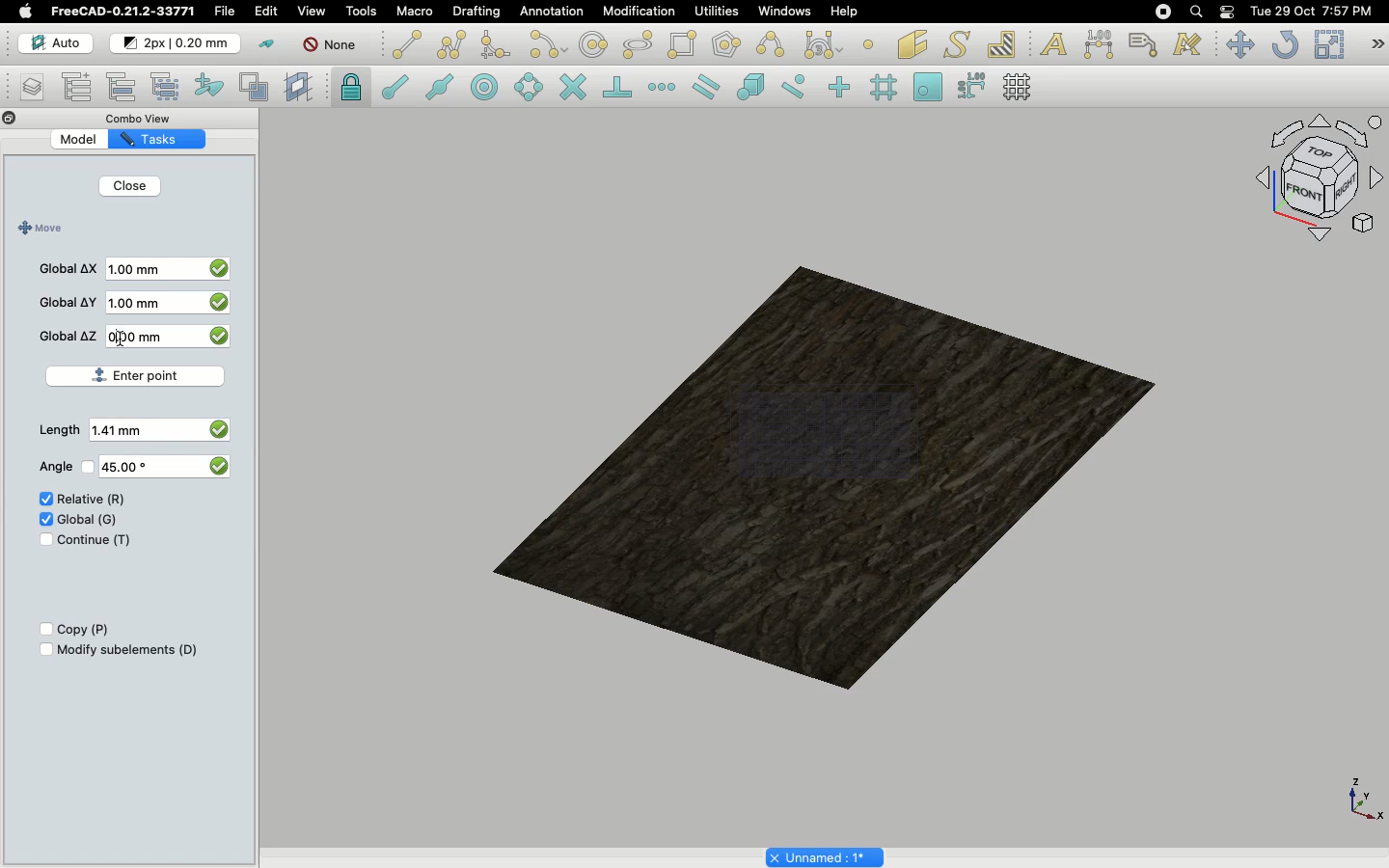 The image size is (1389, 868). I want to click on Snap intersection, so click(574, 89).